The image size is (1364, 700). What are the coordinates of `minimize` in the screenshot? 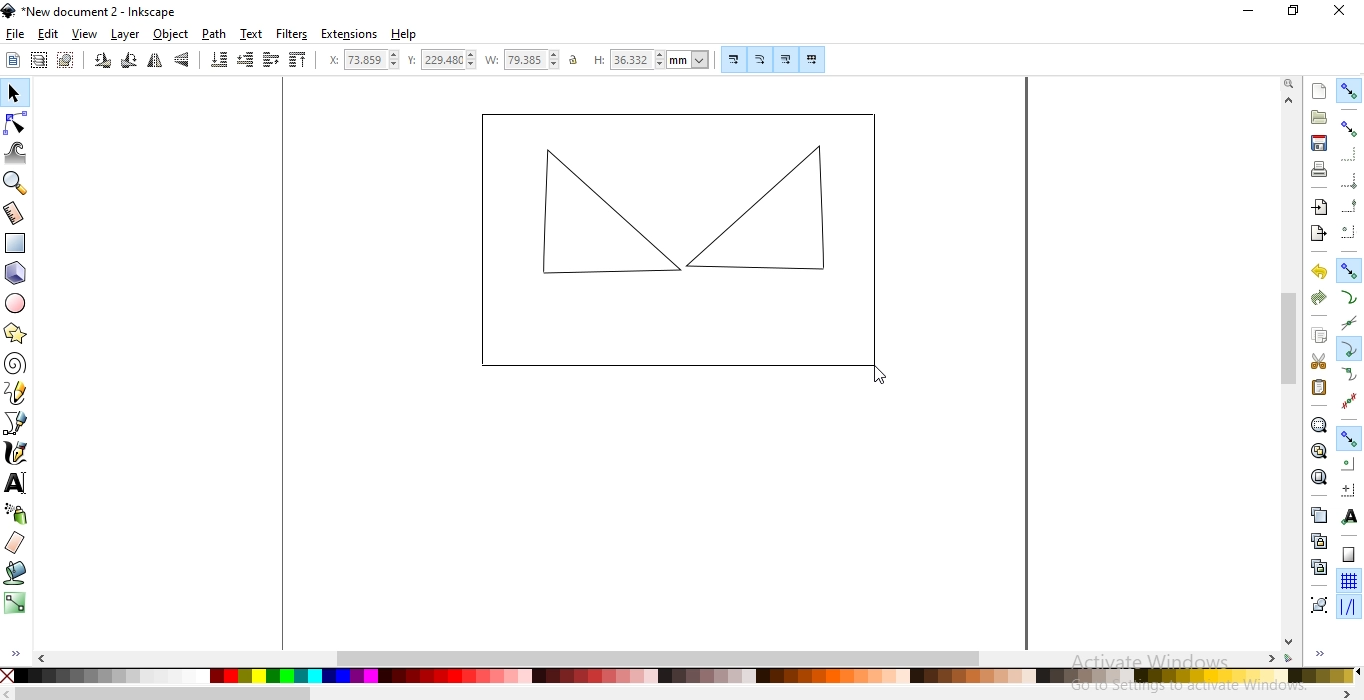 It's located at (1252, 12).